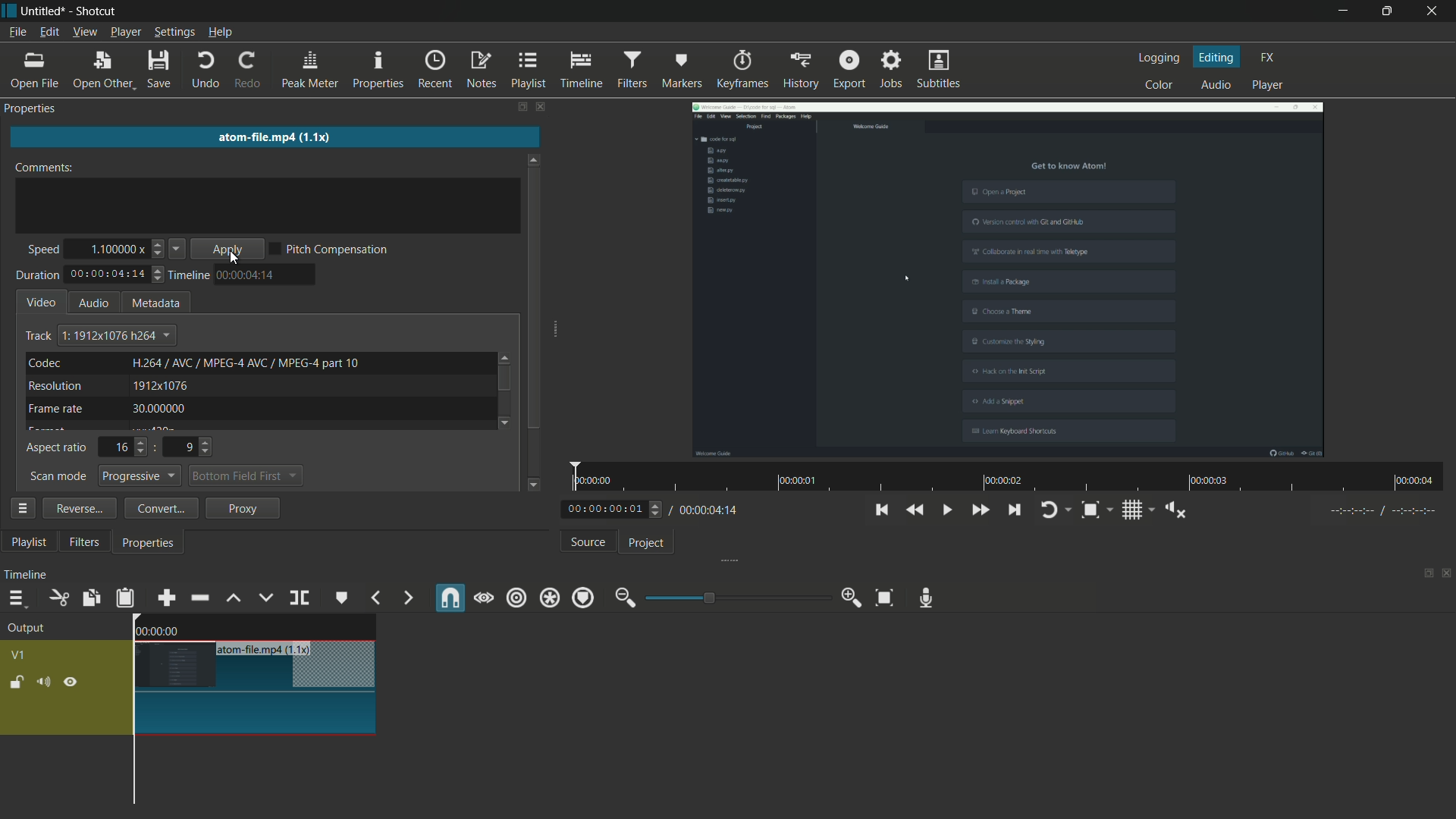 This screenshot has height=819, width=1456. What do you see at coordinates (249, 69) in the screenshot?
I see `redo` at bounding box center [249, 69].